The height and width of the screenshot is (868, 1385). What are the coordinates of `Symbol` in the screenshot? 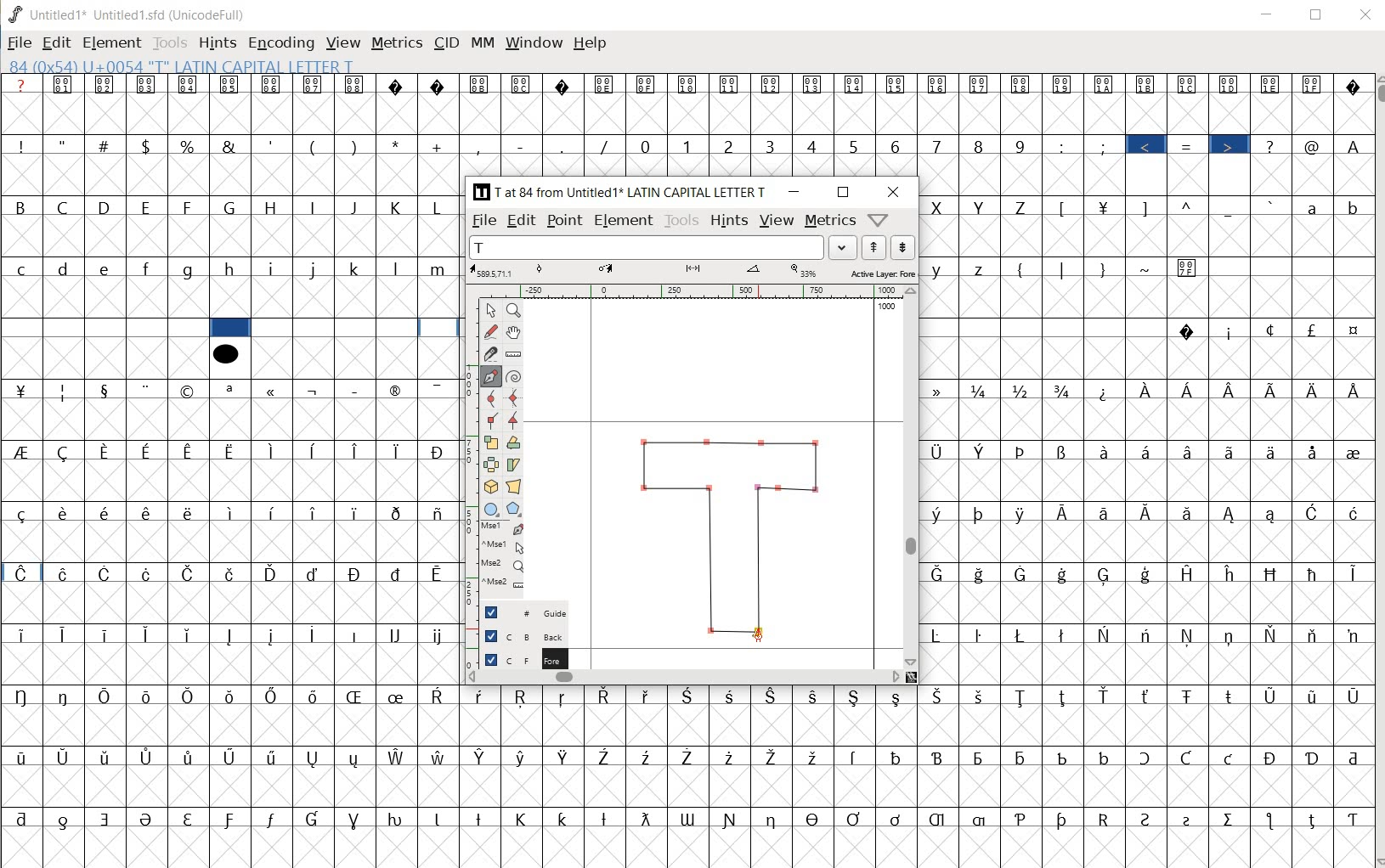 It's located at (1148, 451).